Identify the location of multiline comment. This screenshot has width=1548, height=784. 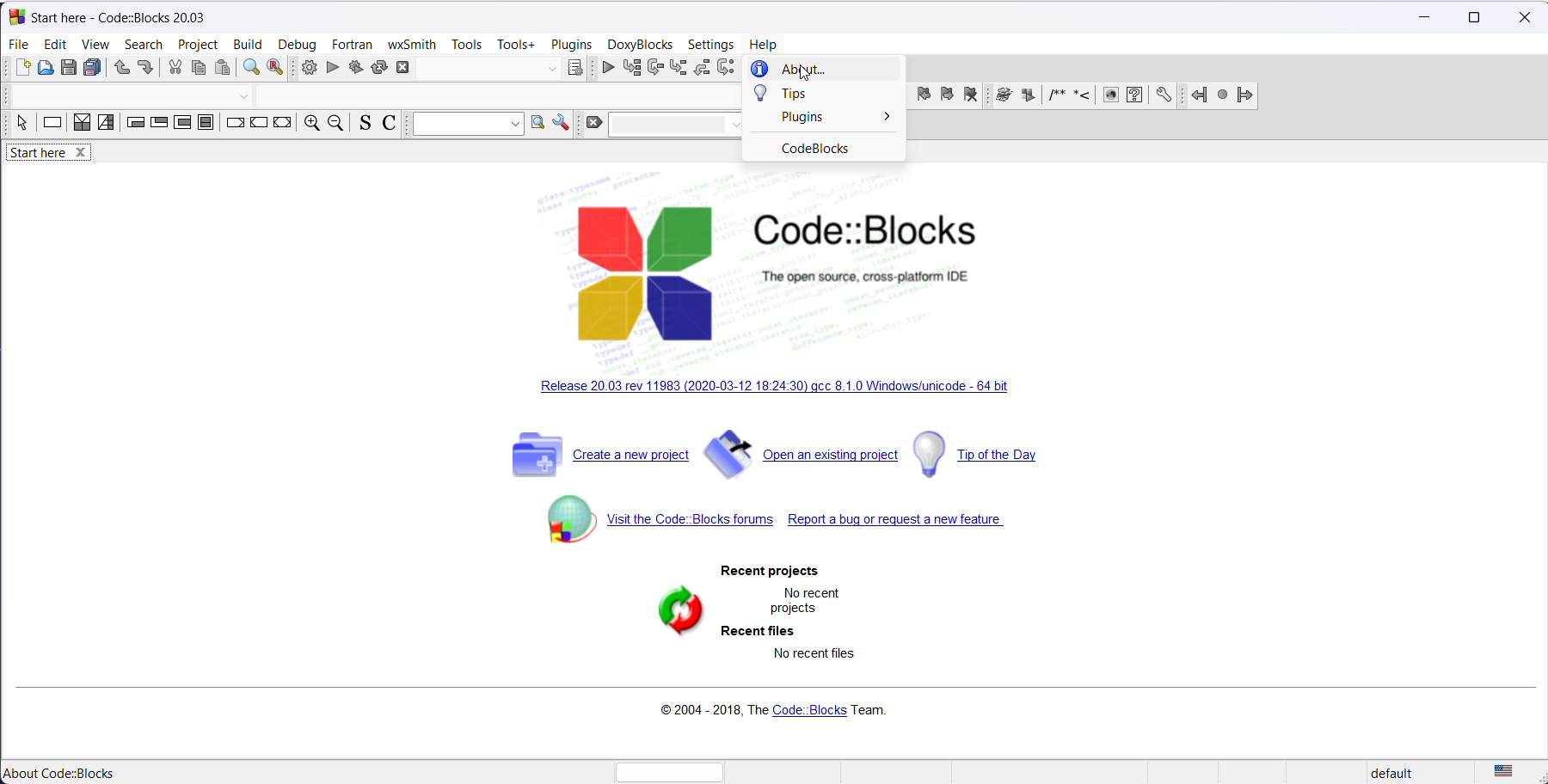
(1056, 96).